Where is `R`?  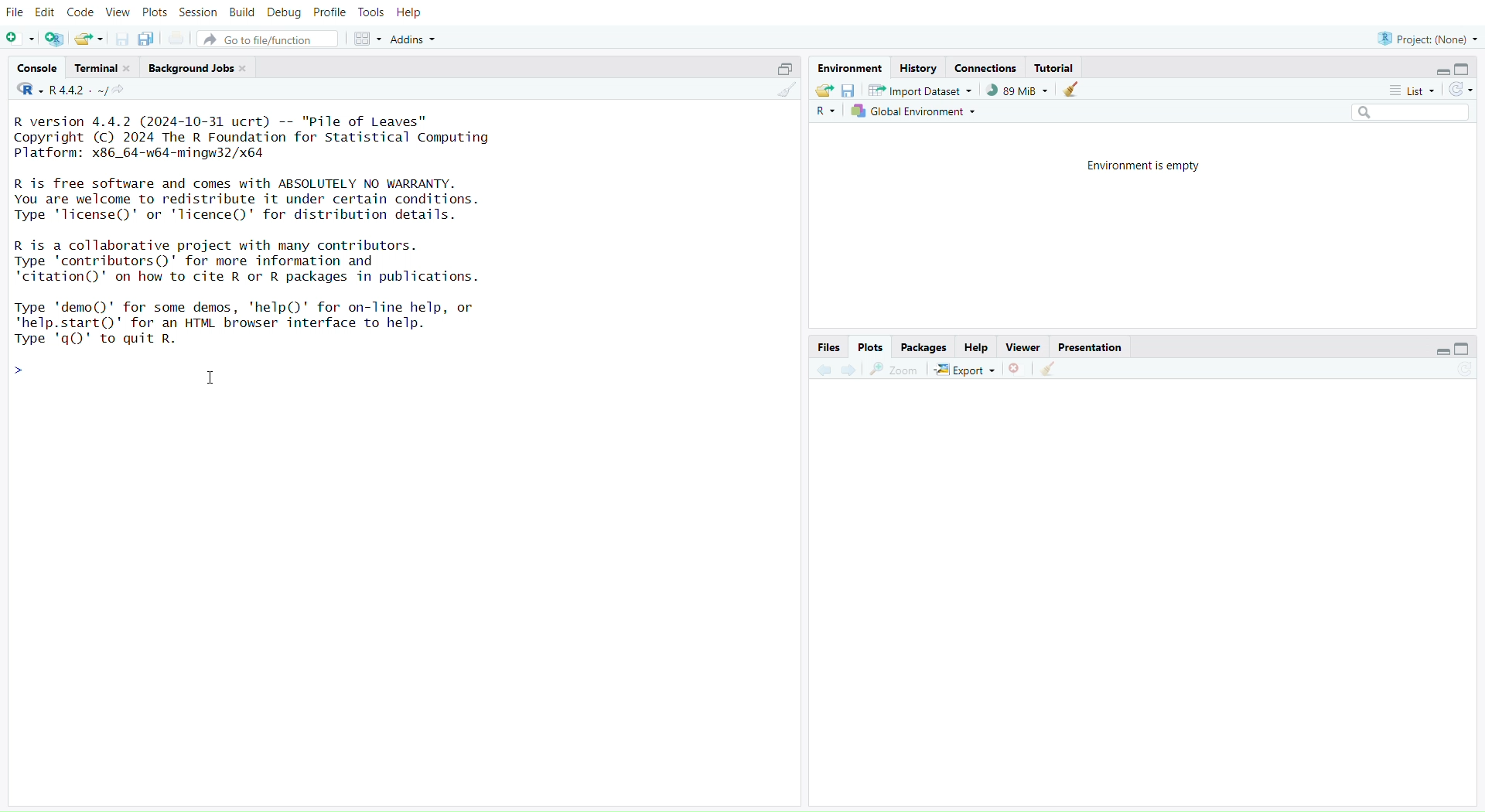 R is located at coordinates (26, 90).